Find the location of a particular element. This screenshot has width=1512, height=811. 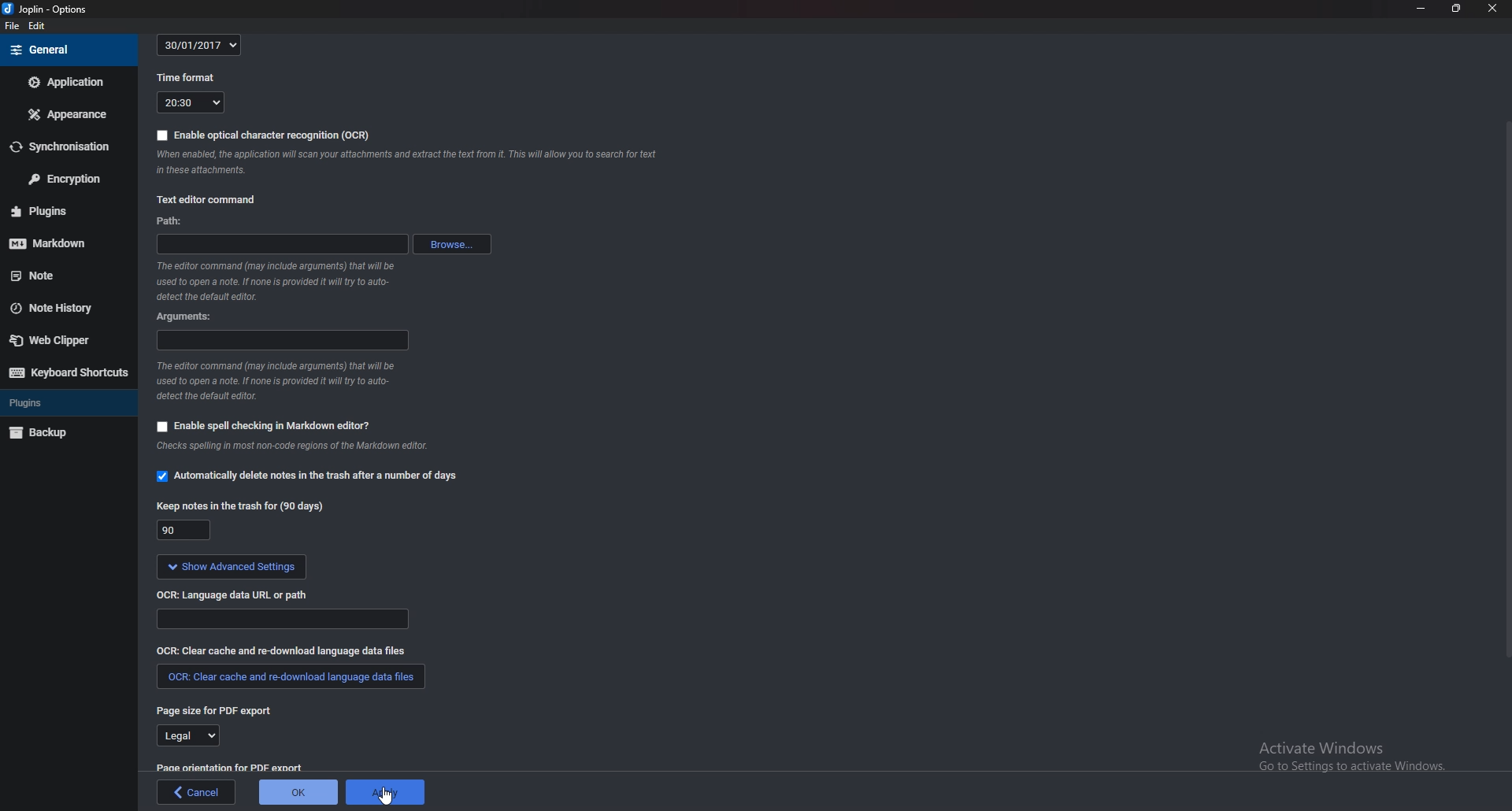

note is located at coordinates (54, 275).